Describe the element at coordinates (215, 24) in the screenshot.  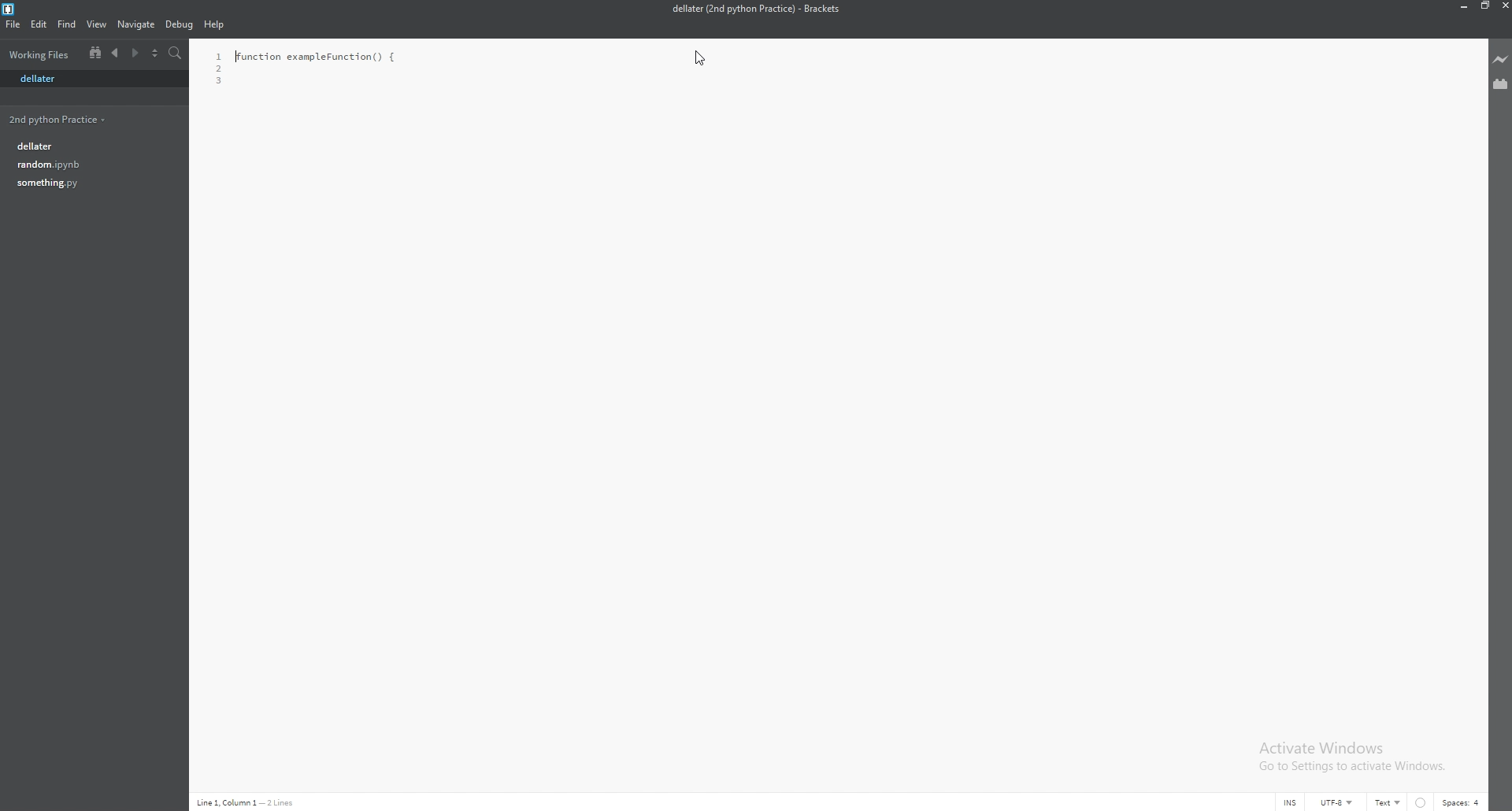
I see `help` at that location.